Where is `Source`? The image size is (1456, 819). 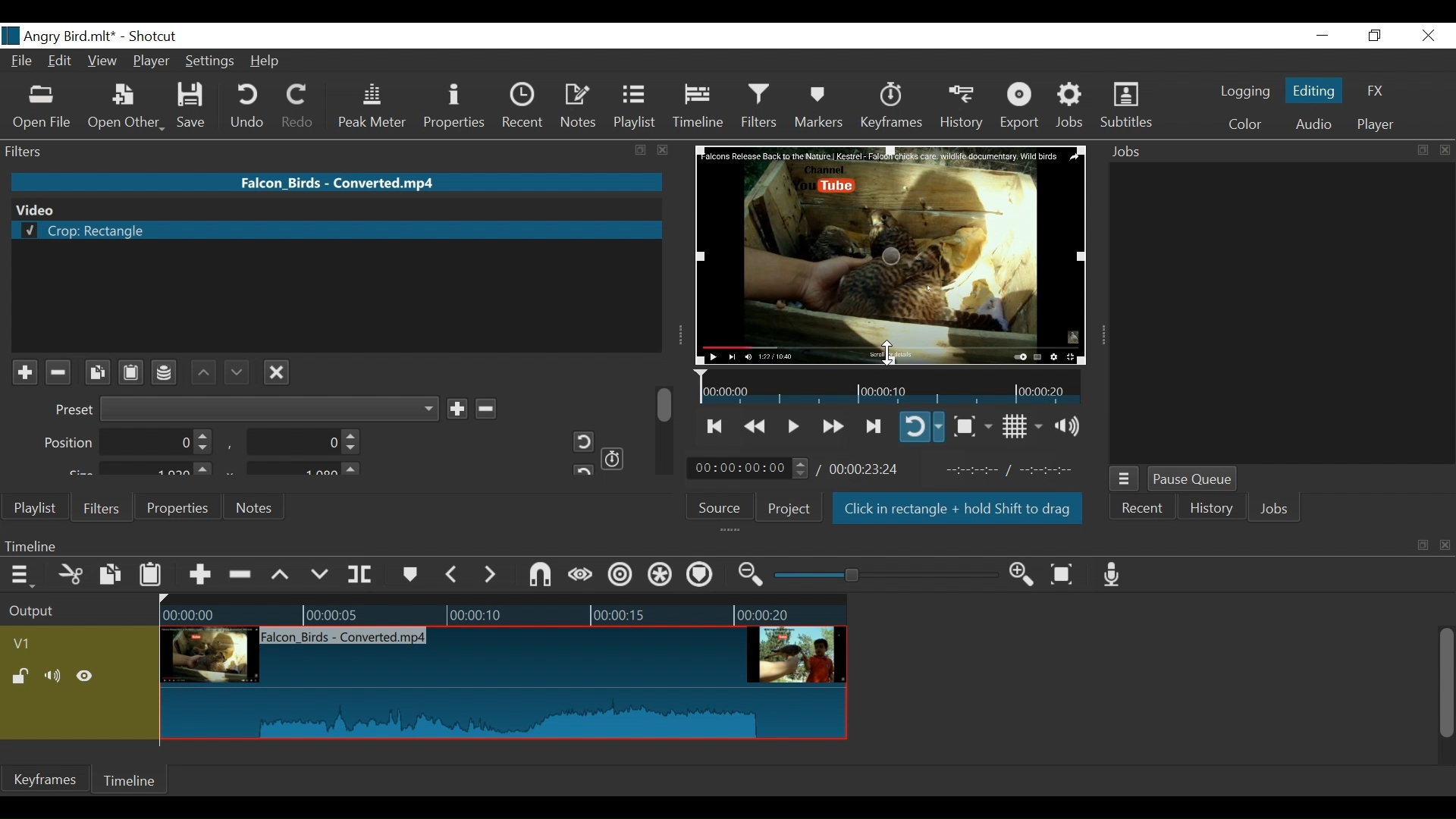
Source is located at coordinates (725, 506).